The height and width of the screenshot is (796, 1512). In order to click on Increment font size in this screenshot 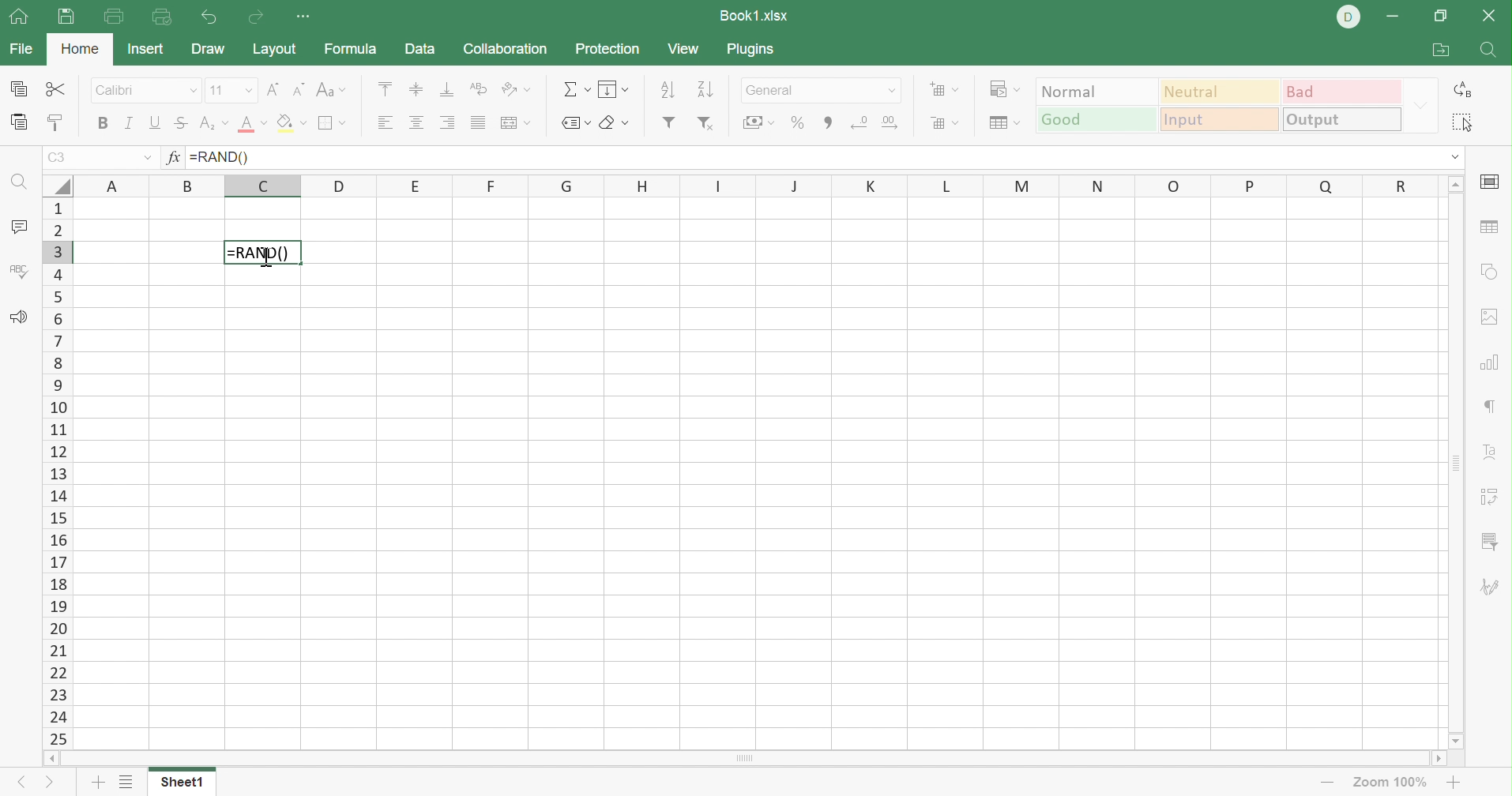, I will do `click(270, 89)`.